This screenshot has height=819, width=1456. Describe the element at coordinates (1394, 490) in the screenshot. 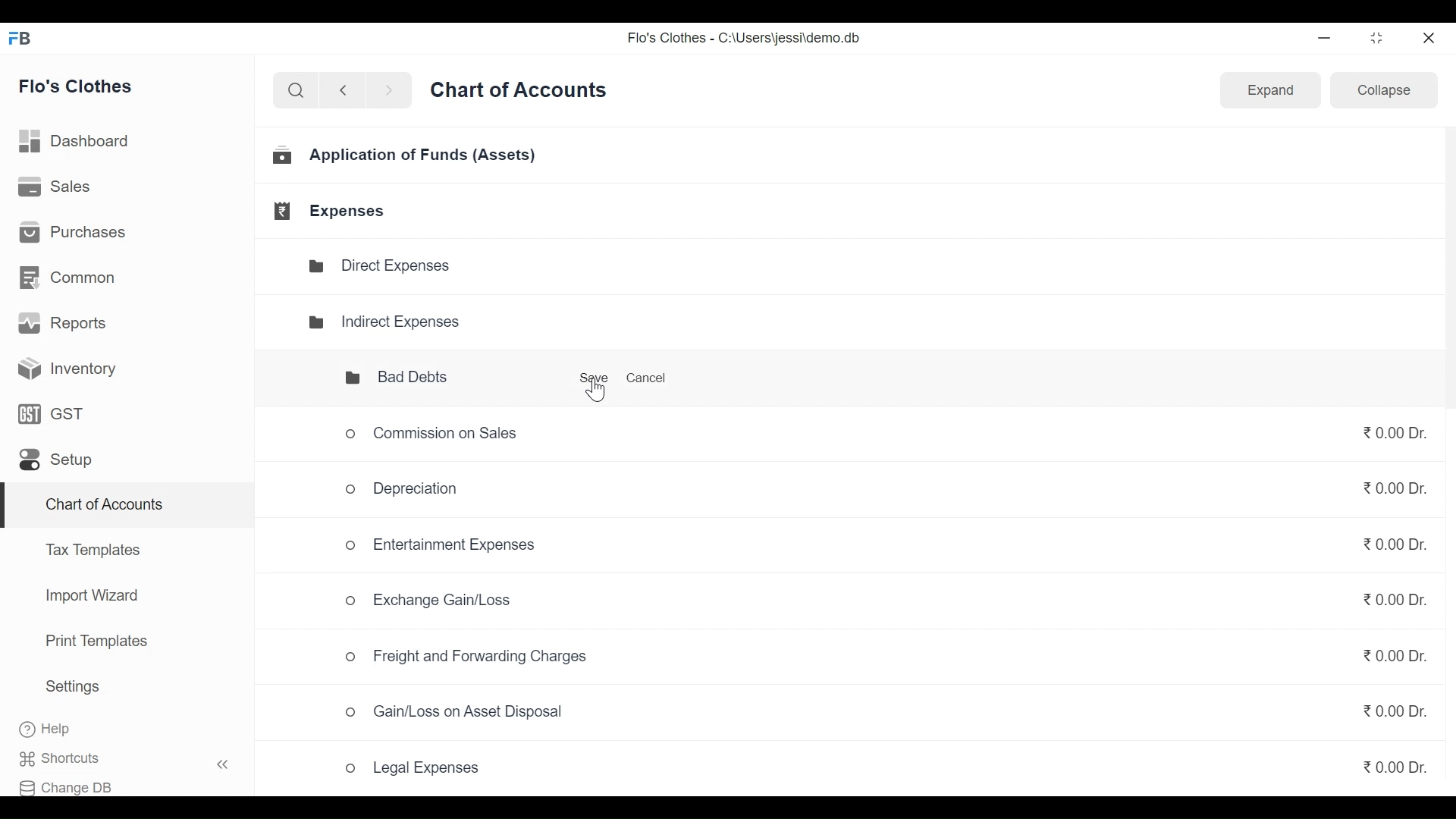

I see `₹0.00 Dr.` at that location.